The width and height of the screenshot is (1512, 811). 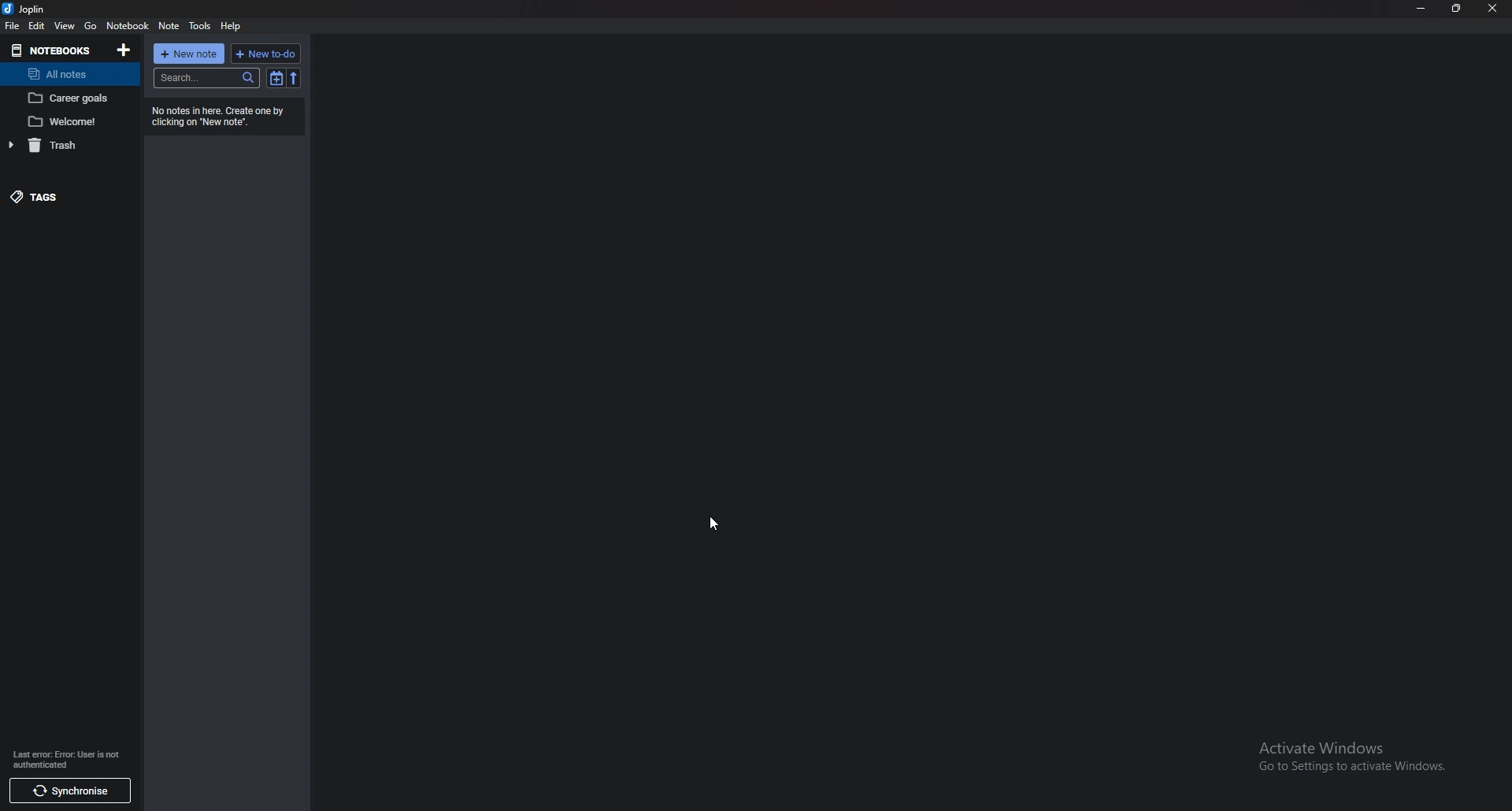 I want to click on note, so click(x=169, y=26).